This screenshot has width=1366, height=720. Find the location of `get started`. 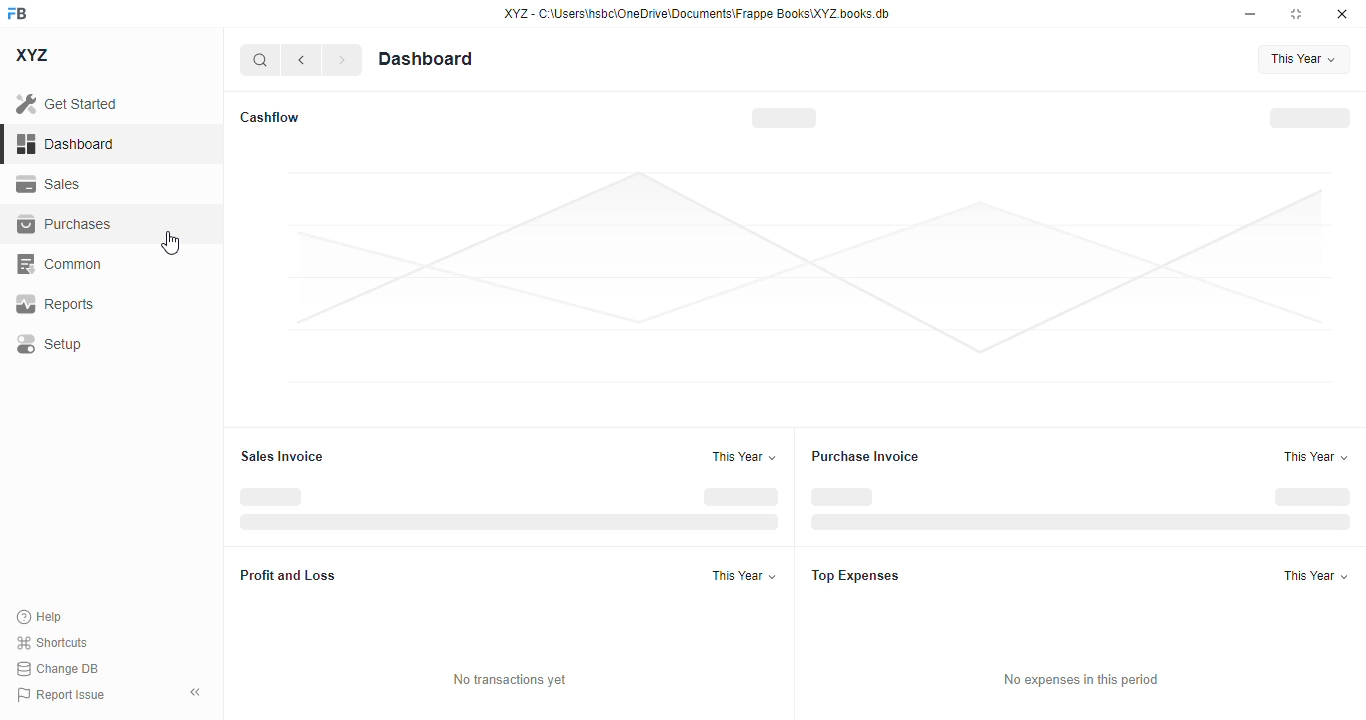

get started is located at coordinates (68, 103).